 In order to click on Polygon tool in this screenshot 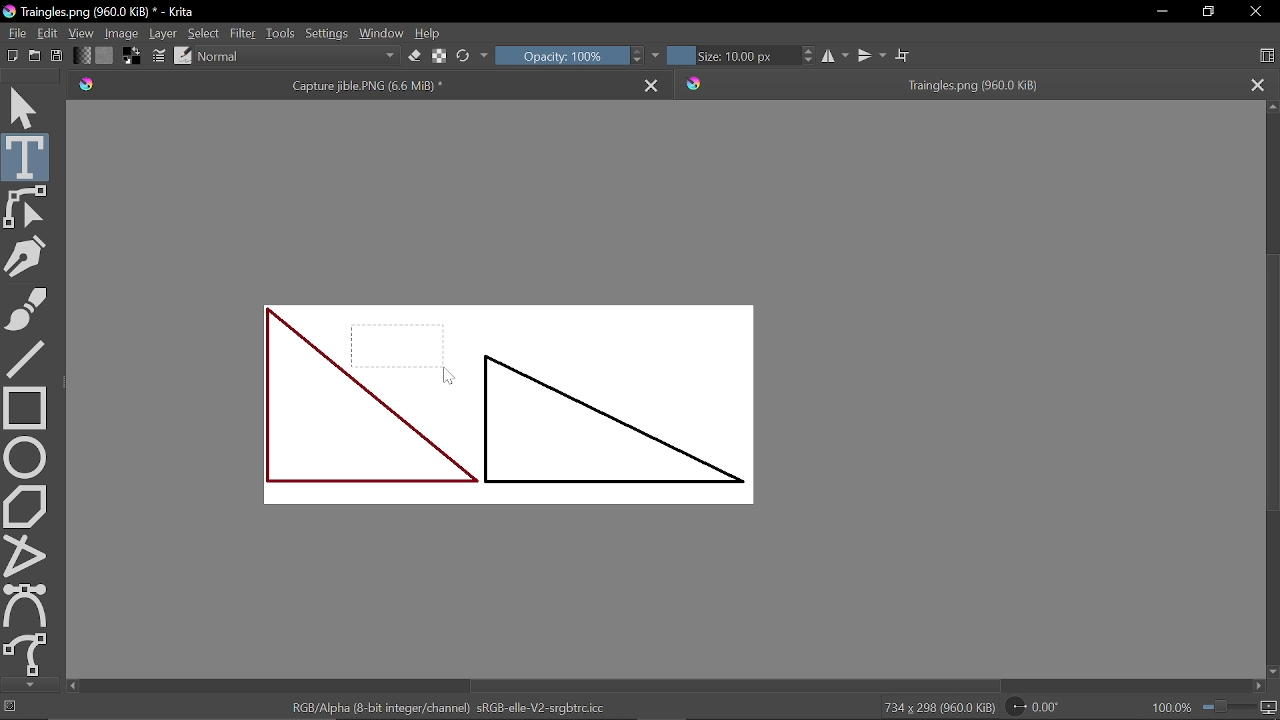, I will do `click(26, 505)`.